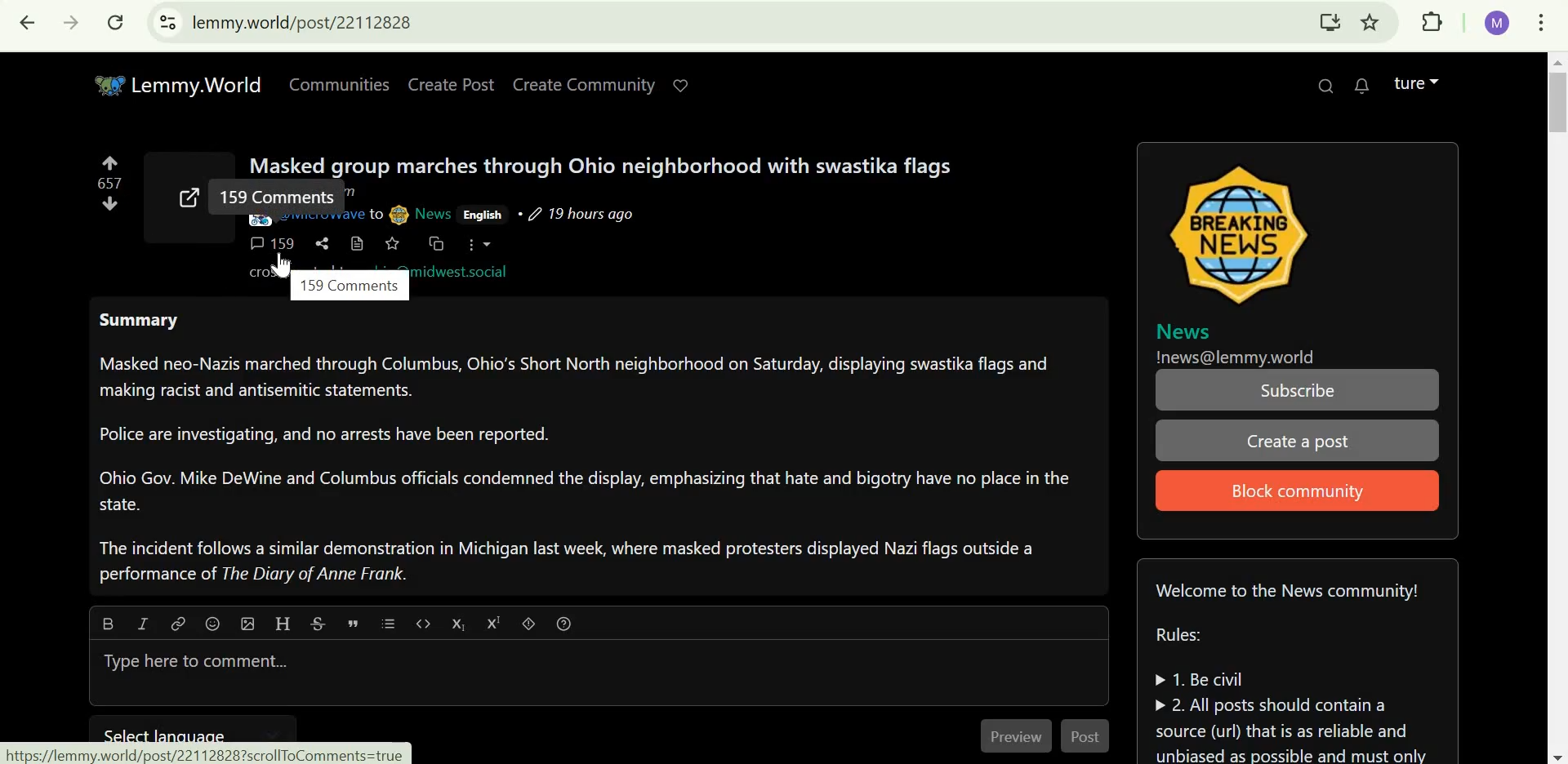 This screenshot has width=1568, height=764. I want to click on google account, so click(1495, 24).